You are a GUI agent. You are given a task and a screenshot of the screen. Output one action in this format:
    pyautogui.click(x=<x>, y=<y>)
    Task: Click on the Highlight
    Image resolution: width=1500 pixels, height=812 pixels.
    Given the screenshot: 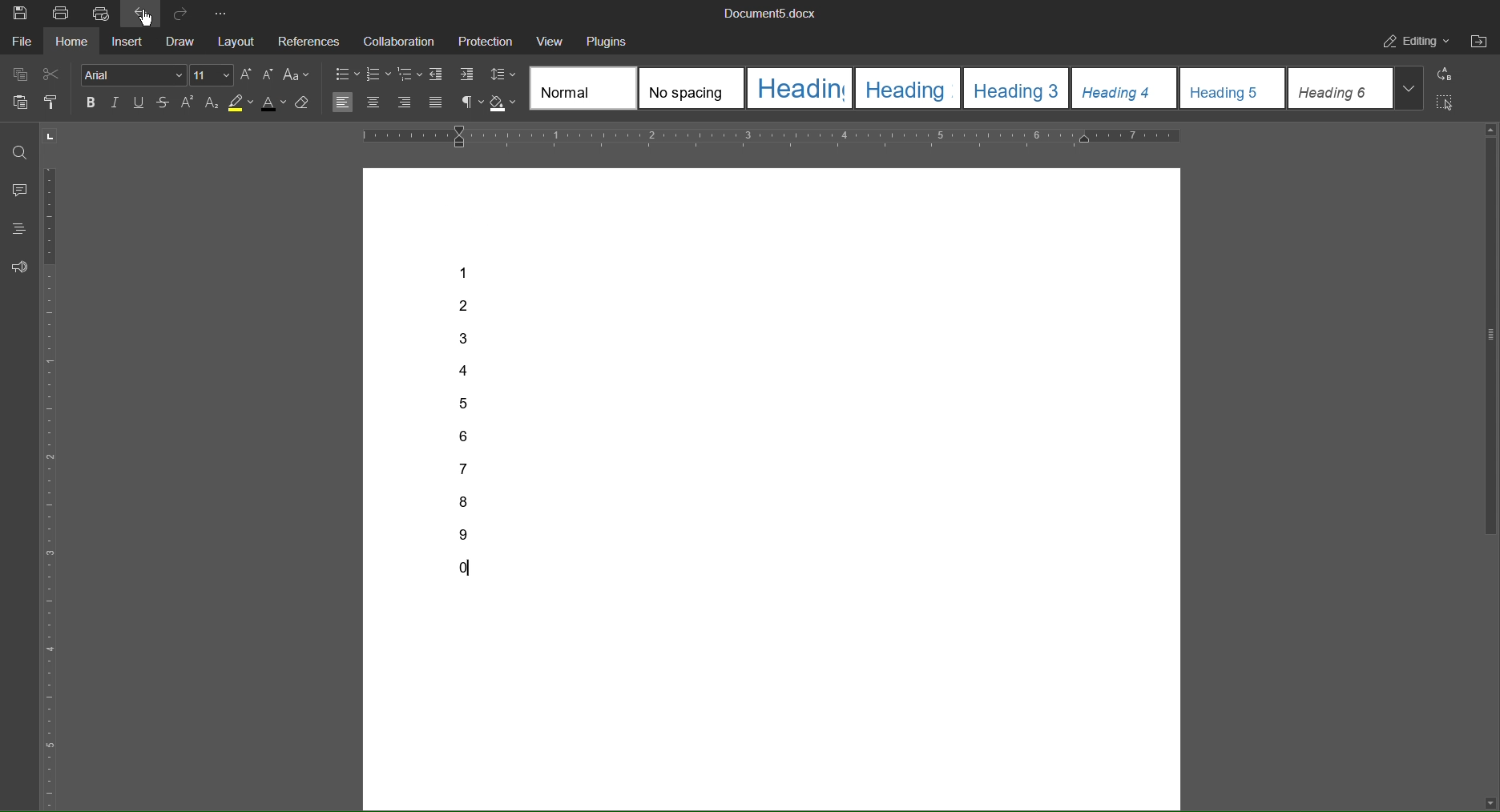 What is the action you would take?
    pyautogui.click(x=242, y=103)
    